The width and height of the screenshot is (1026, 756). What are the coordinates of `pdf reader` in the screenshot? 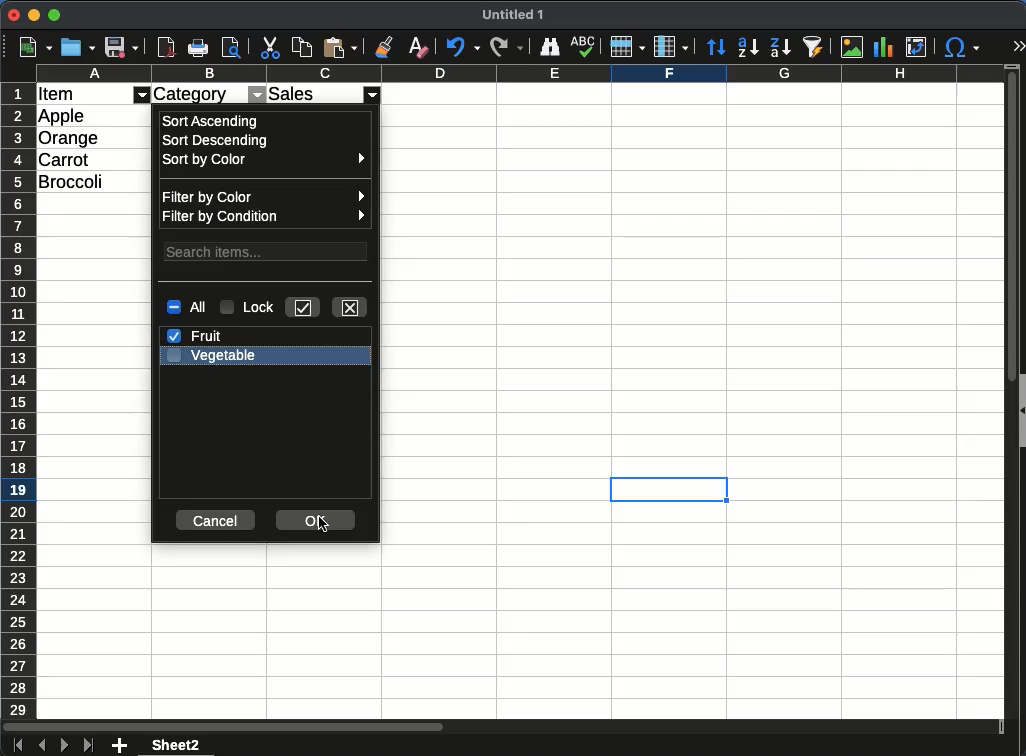 It's located at (166, 48).